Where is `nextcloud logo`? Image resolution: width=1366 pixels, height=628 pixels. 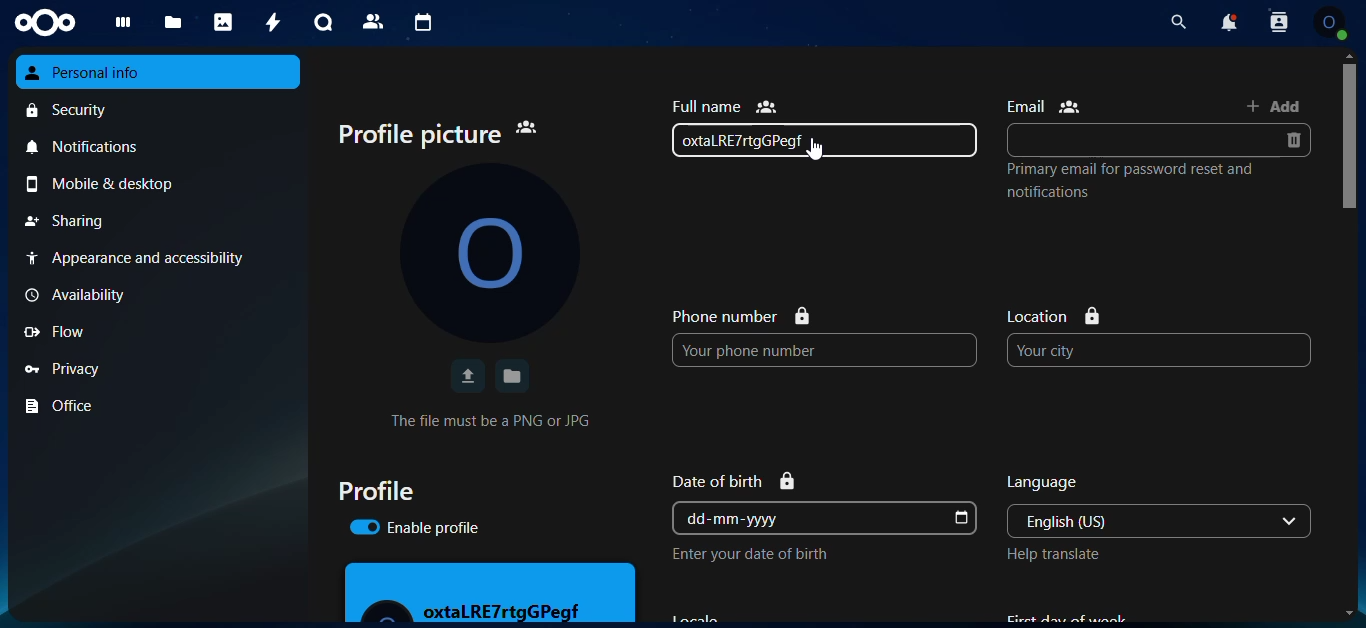
nextcloud logo is located at coordinates (45, 23).